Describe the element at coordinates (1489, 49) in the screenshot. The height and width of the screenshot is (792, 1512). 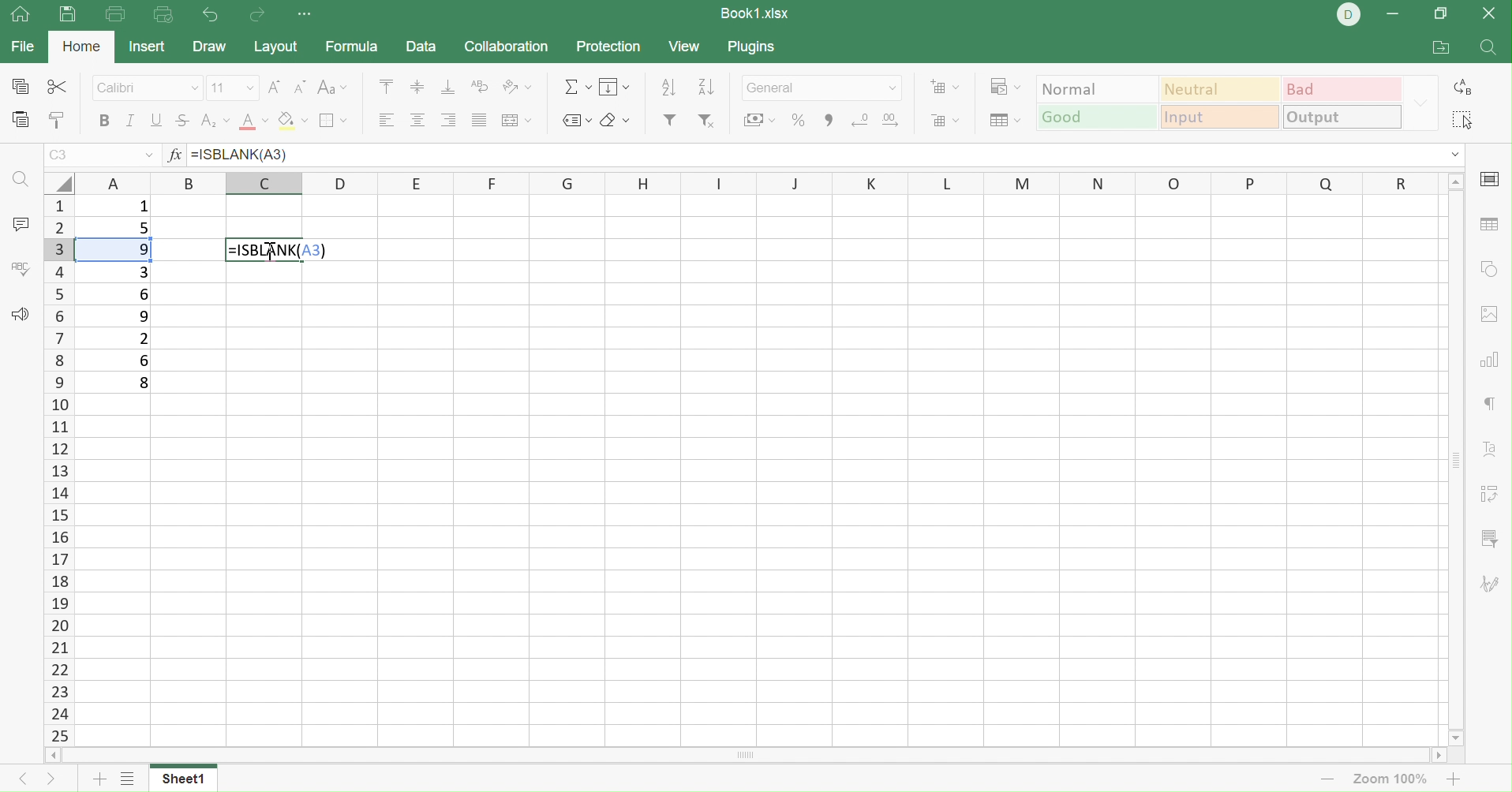
I see `Find` at that location.